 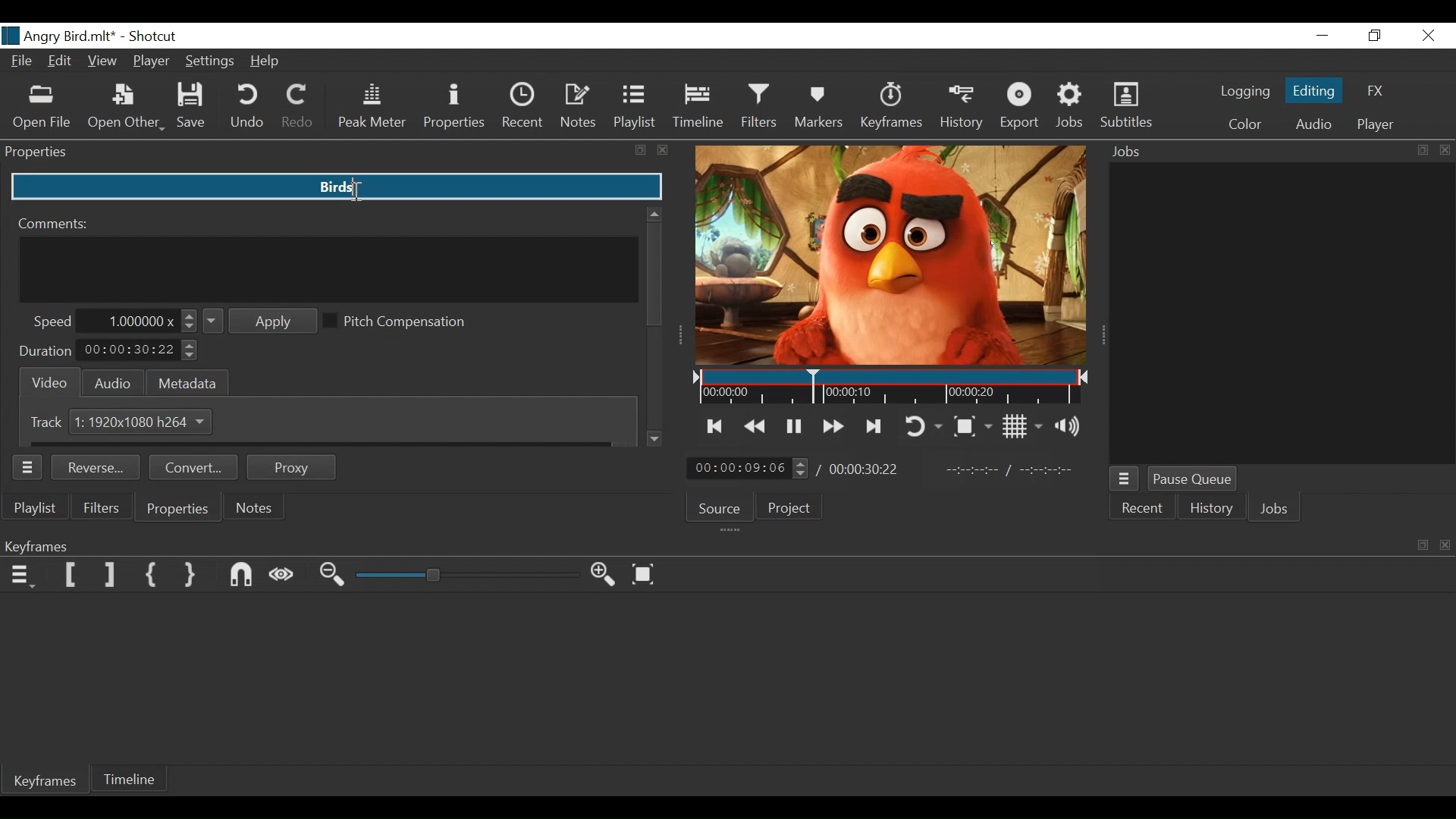 I want to click on , so click(x=715, y=506).